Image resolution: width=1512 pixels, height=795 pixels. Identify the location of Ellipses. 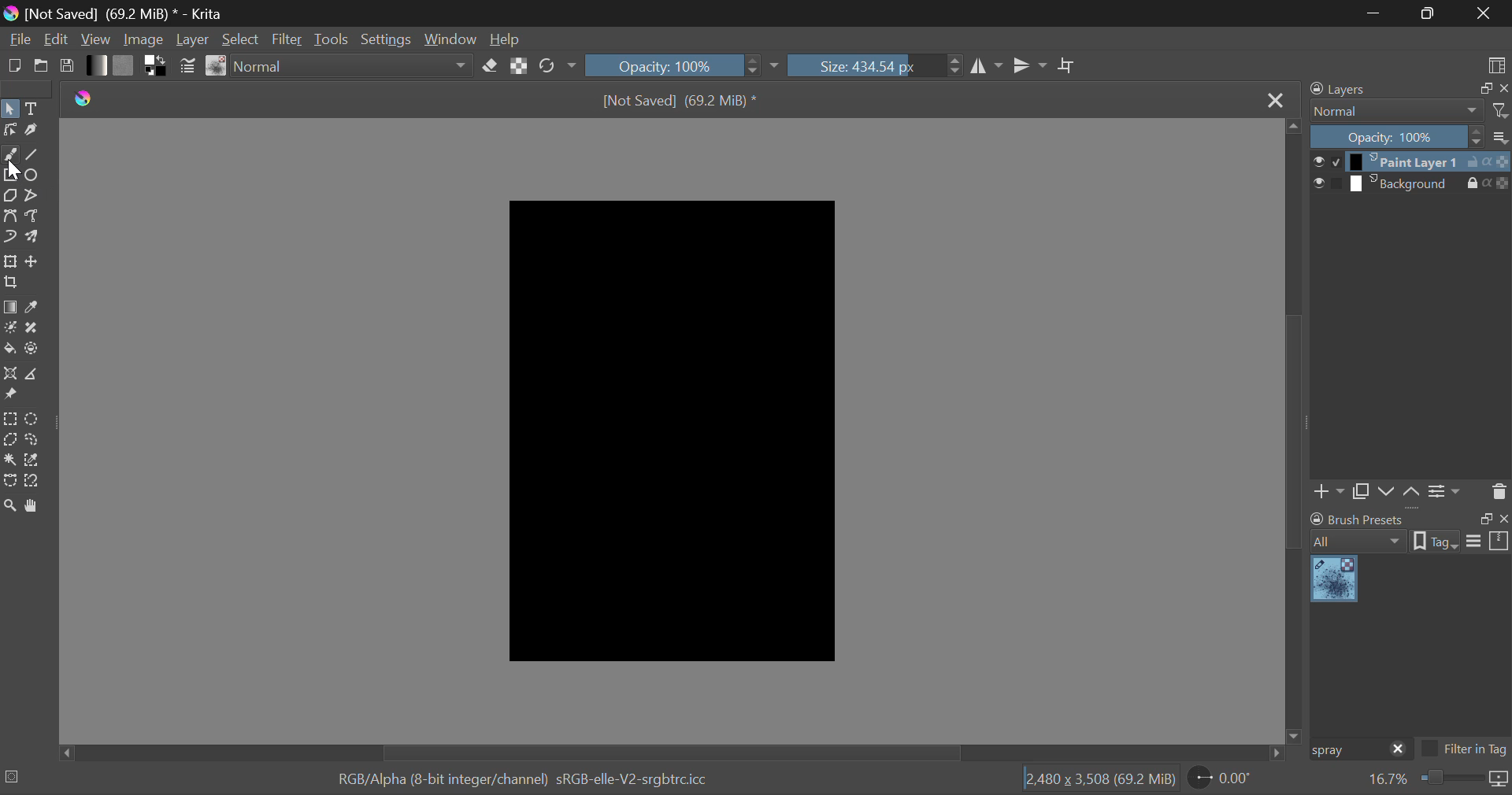
(34, 176).